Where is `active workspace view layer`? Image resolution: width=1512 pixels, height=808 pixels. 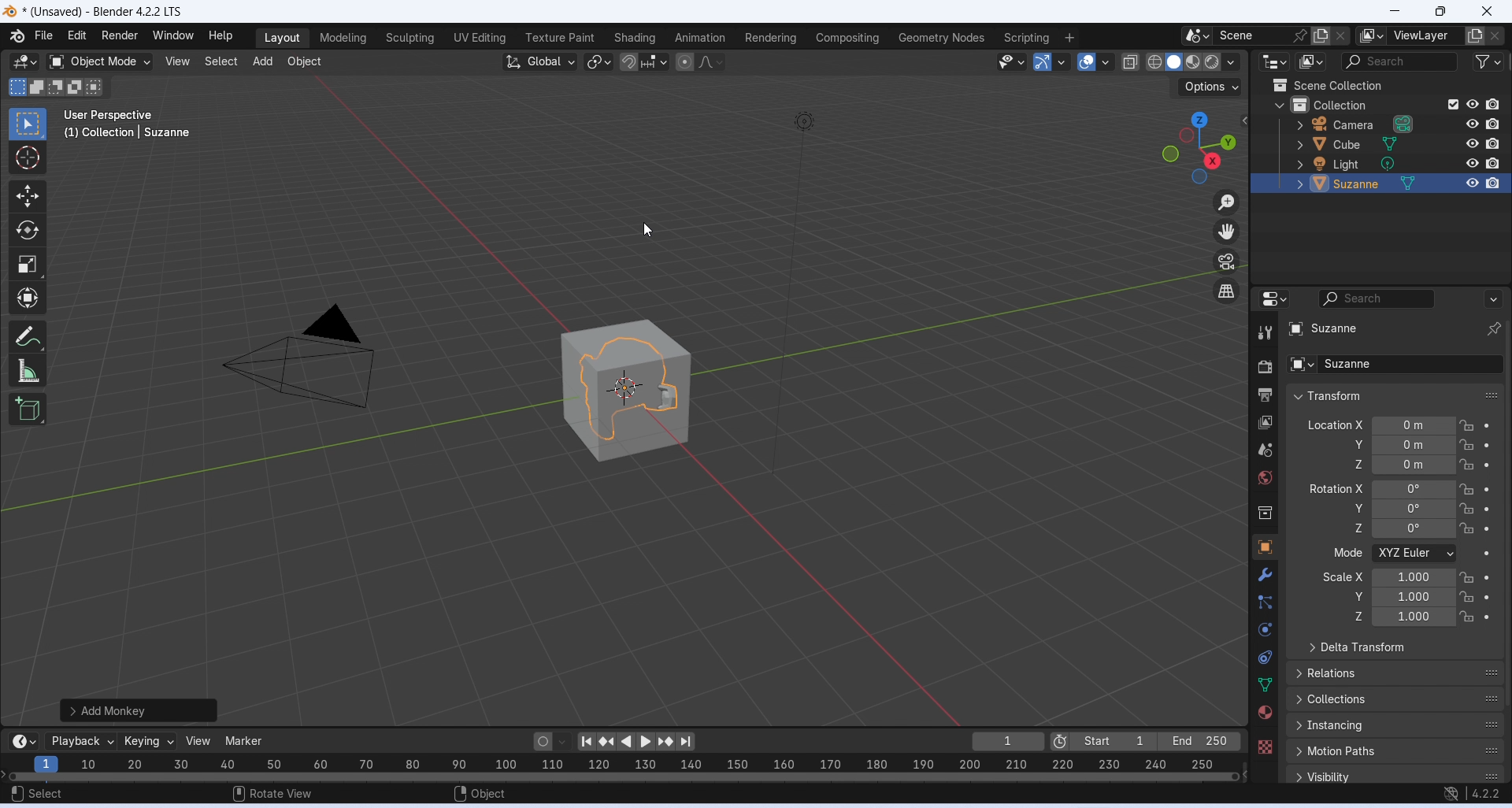
active workspace view layer is located at coordinates (1372, 35).